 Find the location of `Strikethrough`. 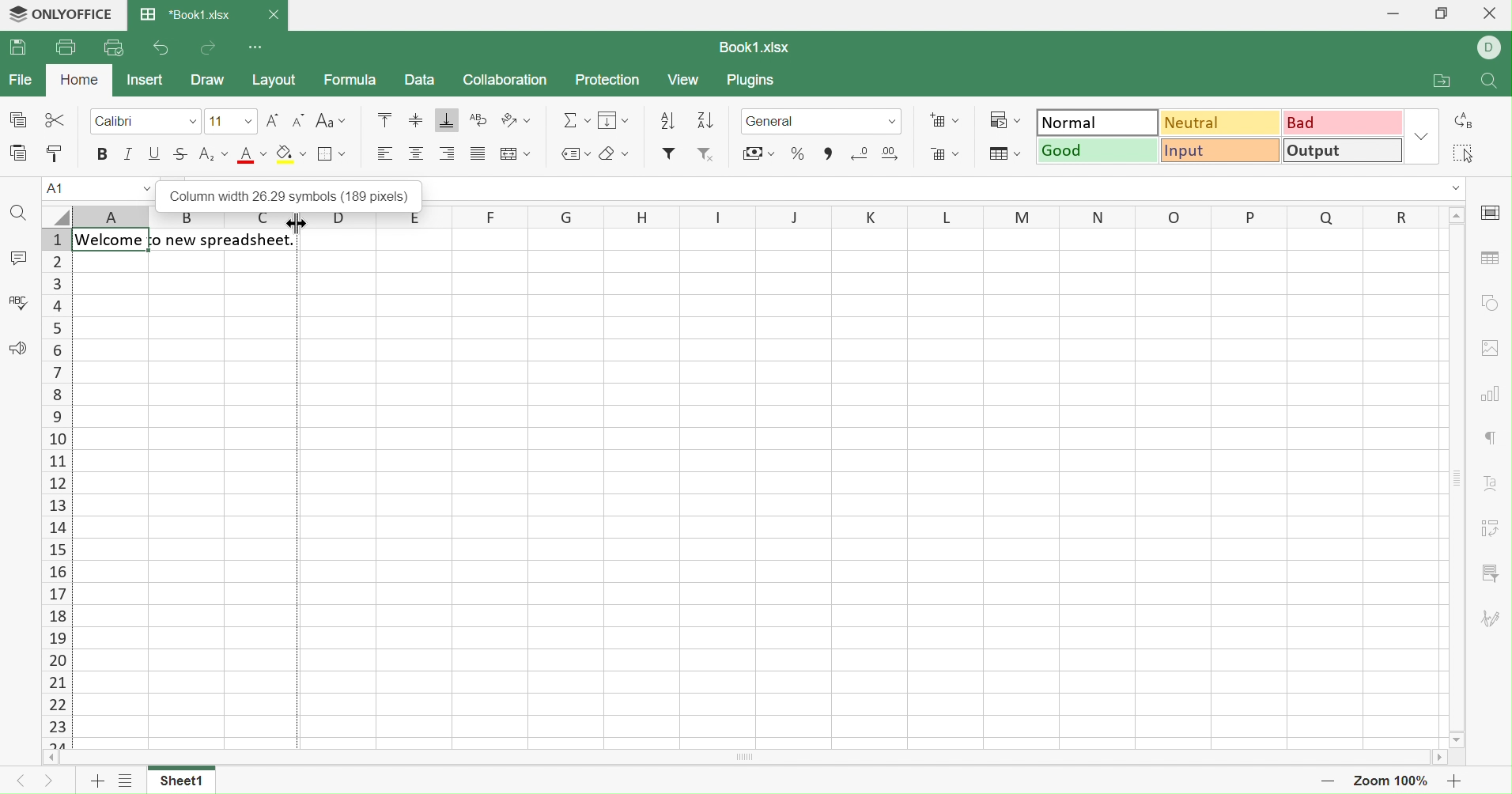

Strikethrough is located at coordinates (182, 154).